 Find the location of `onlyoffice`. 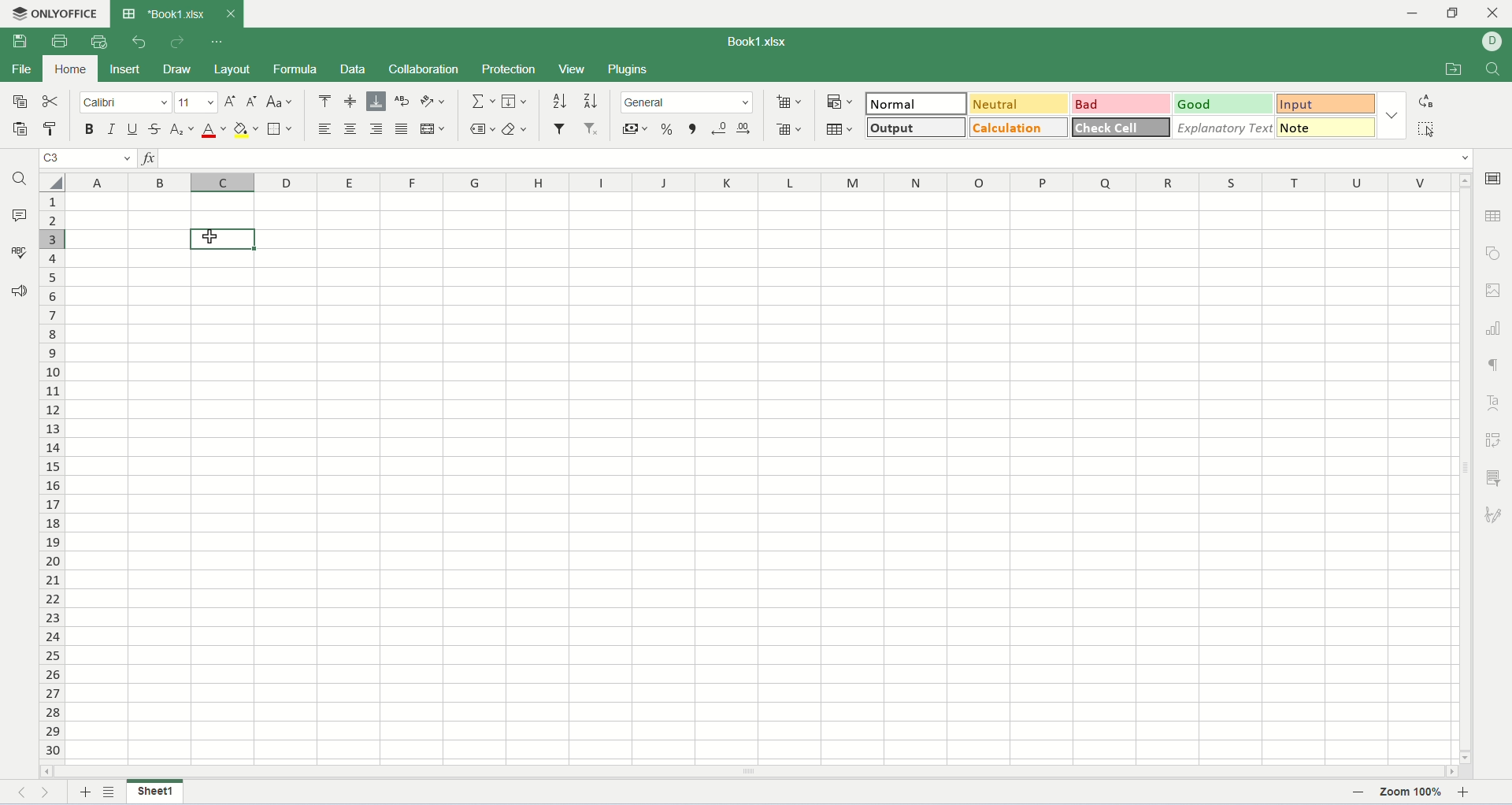

onlyoffice is located at coordinates (53, 11).